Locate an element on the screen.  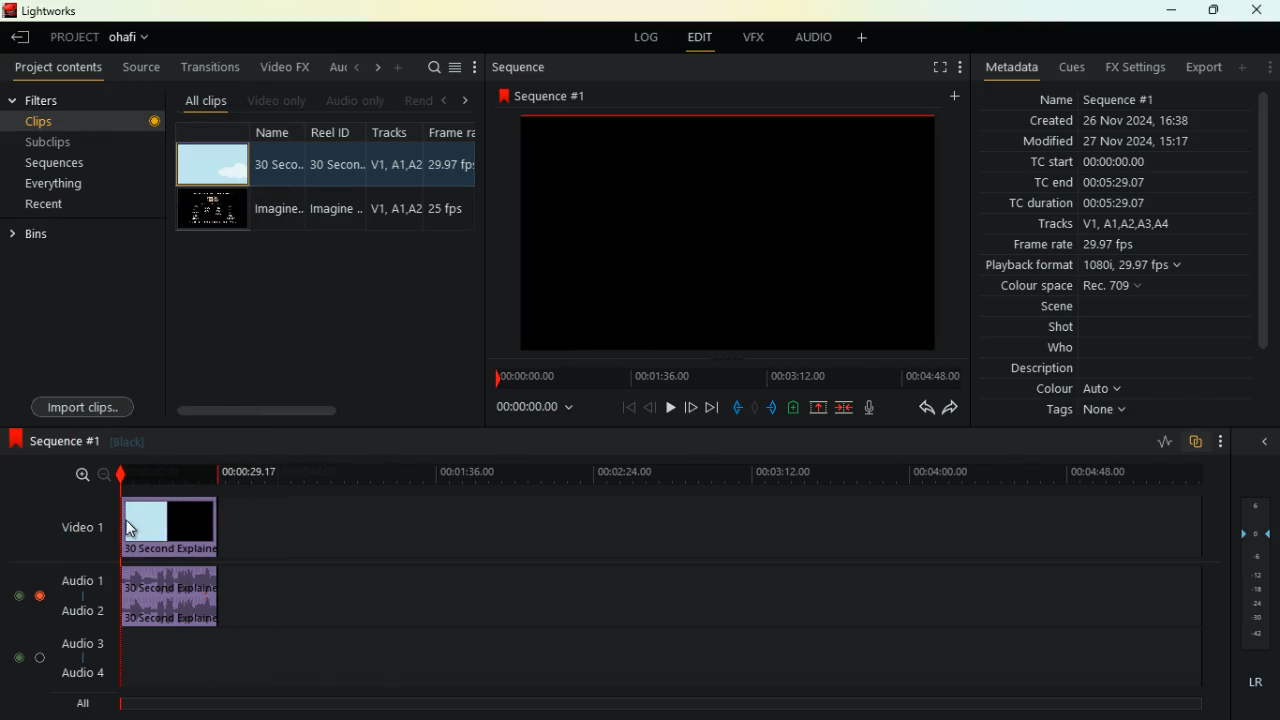
audio only is located at coordinates (356, 100).